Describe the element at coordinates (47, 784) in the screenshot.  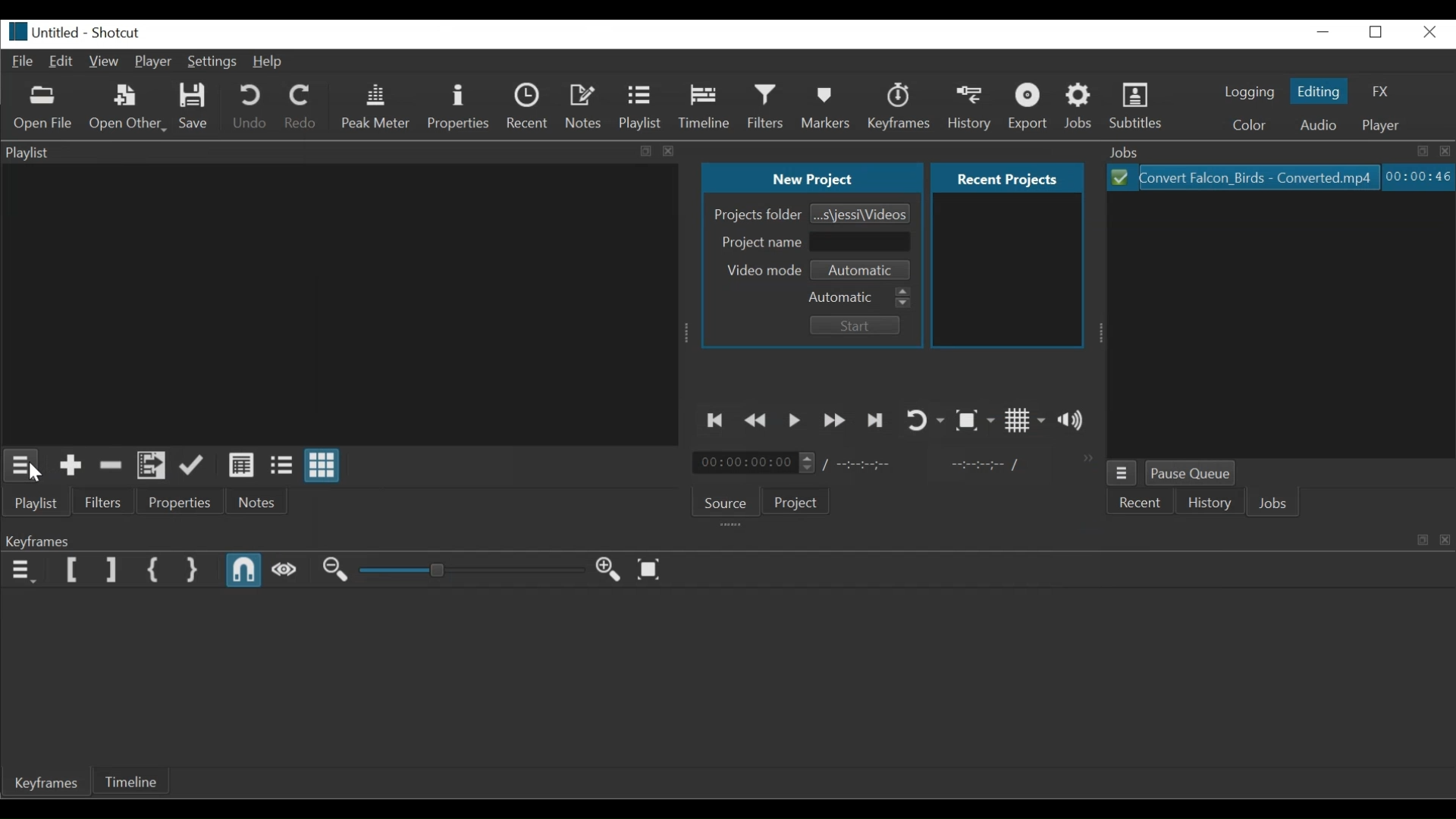
I see `Keyframe Tab` at that location.